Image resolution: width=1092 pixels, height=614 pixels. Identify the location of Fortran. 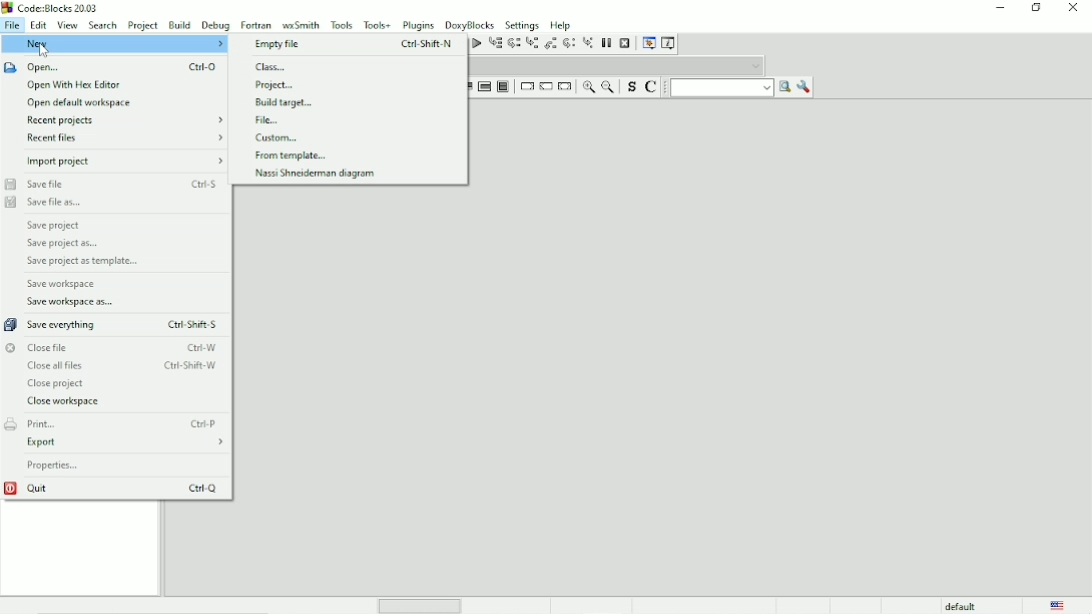
(256, 24).